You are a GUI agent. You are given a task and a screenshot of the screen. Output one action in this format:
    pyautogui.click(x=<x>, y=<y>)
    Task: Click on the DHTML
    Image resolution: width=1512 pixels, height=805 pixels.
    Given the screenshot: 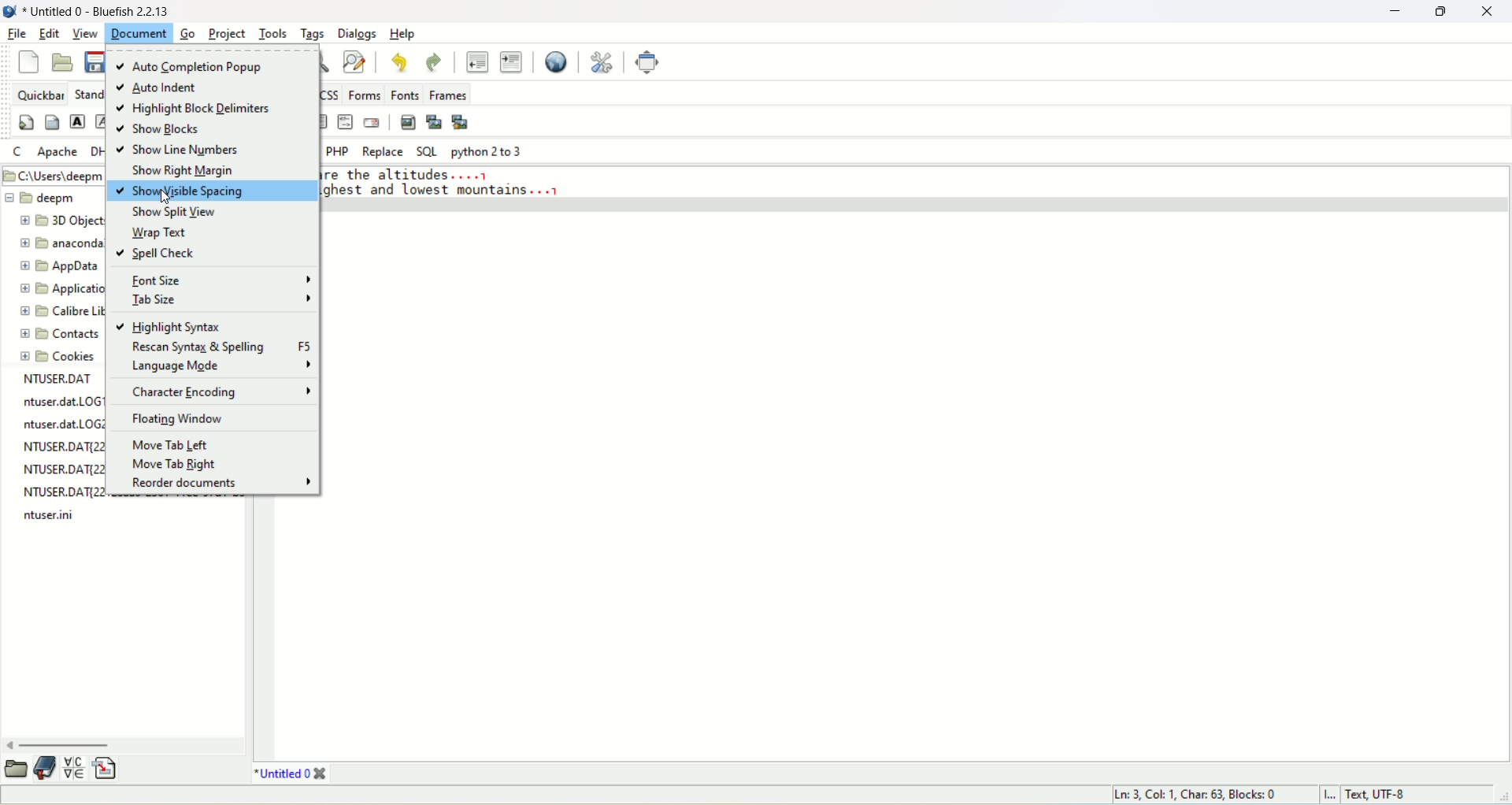 What is the action you would take?
    pyautogui.click(x=100, y=153)
    